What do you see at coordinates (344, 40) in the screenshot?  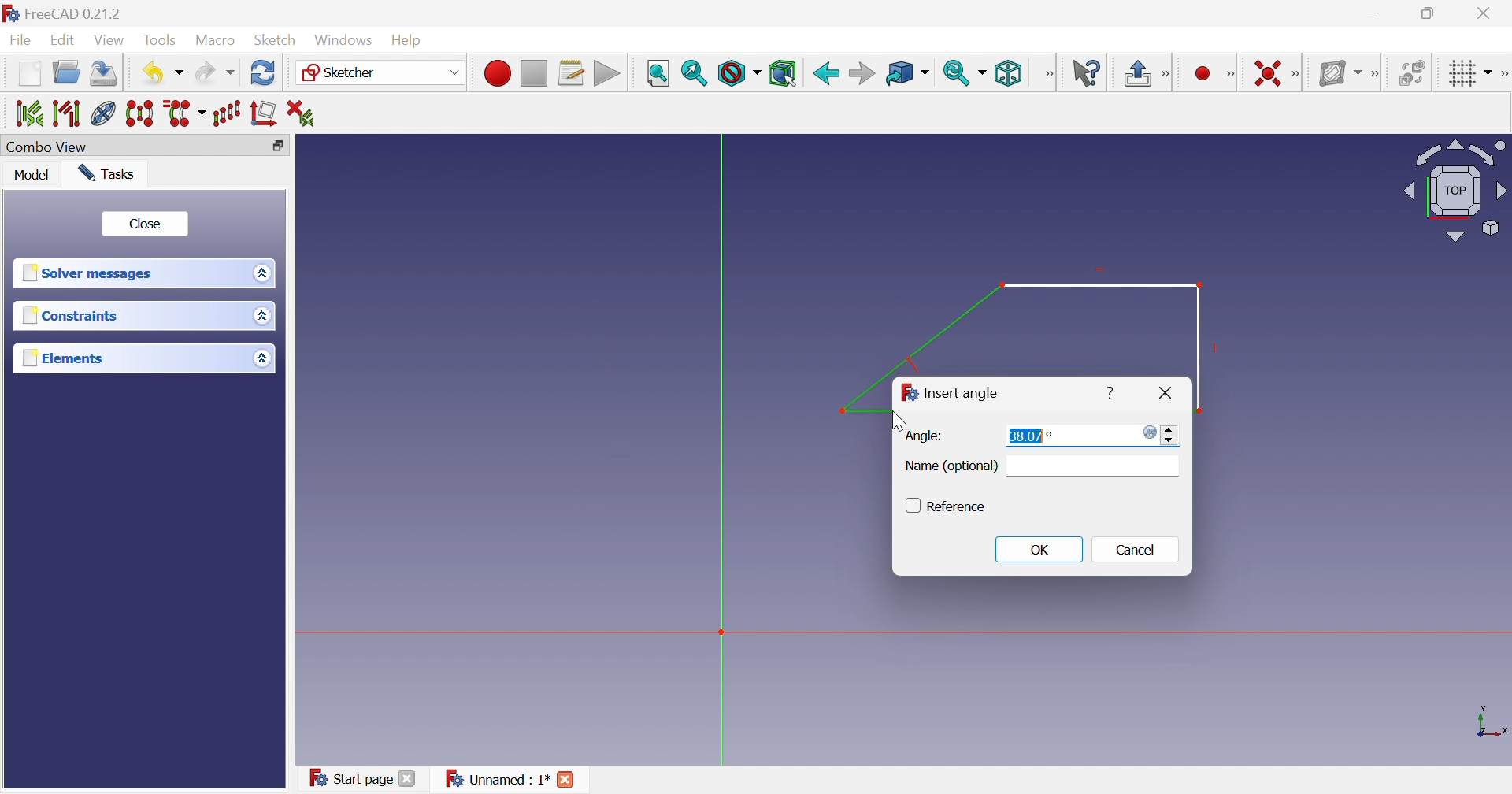 I see `Windows` at bounding box center [344, 40].